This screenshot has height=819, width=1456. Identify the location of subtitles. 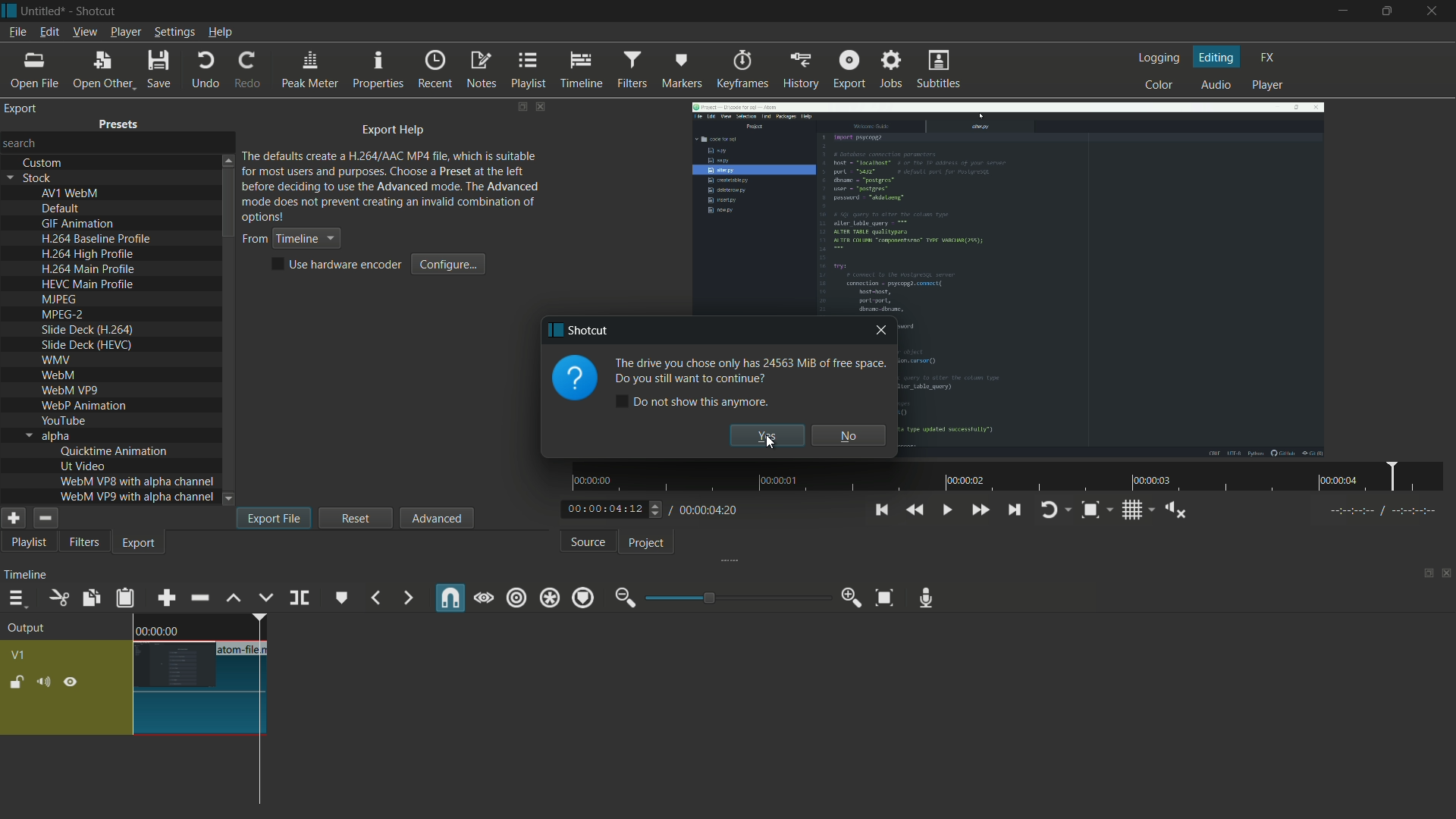
(937, 68).